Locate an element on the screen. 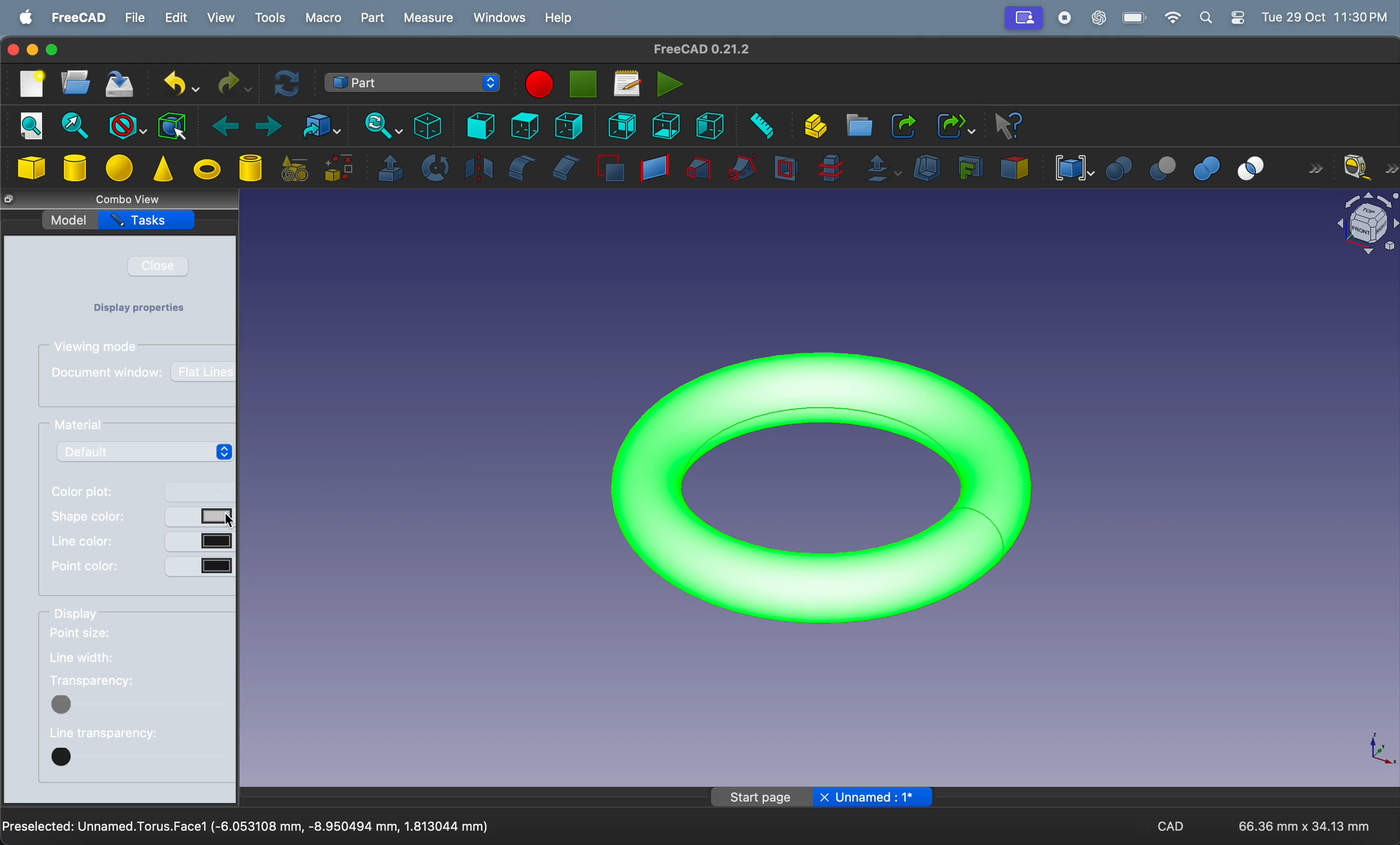 This screenshot has height=845, width=1400. color plot is located at coordinates (90, 491).